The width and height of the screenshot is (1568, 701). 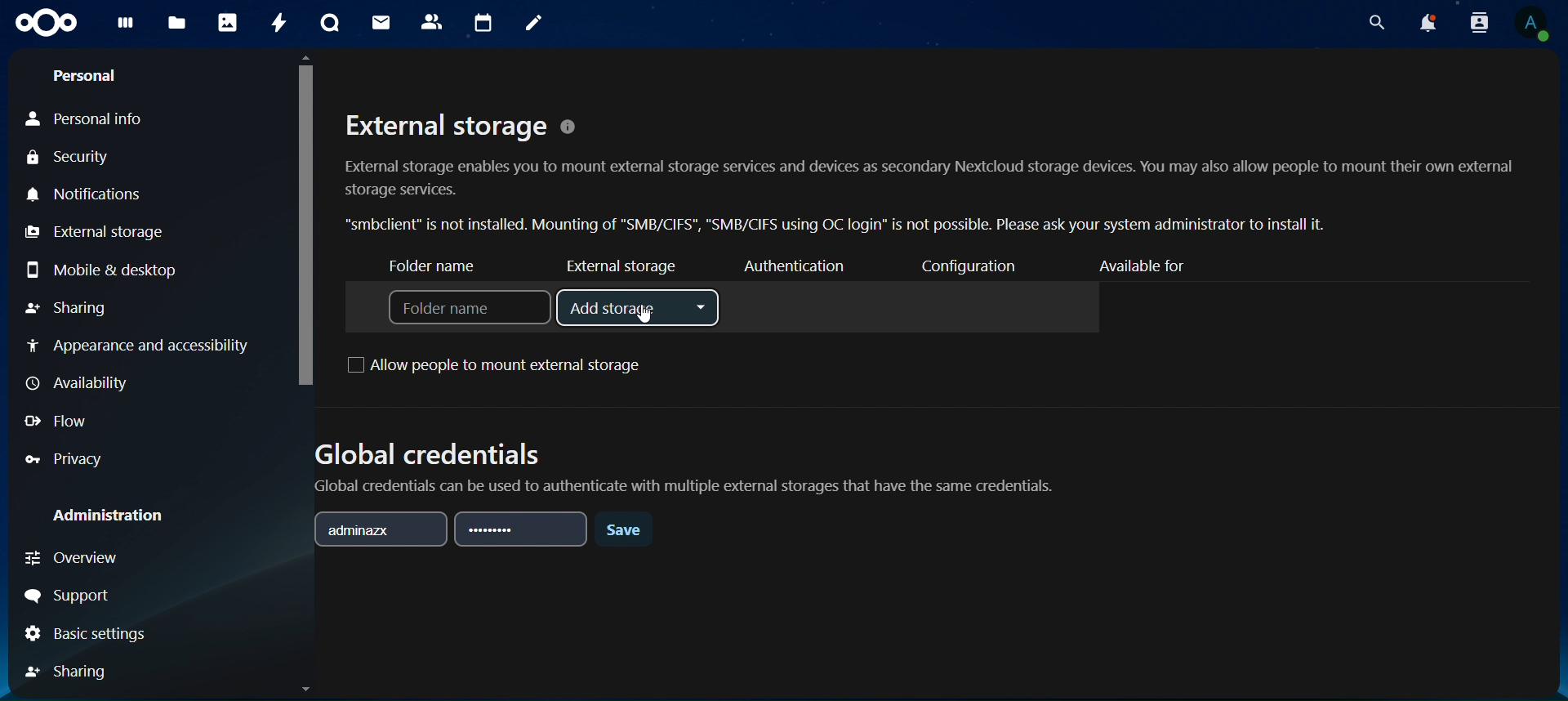 I want to click on cursor, so click(x=650, y=321).